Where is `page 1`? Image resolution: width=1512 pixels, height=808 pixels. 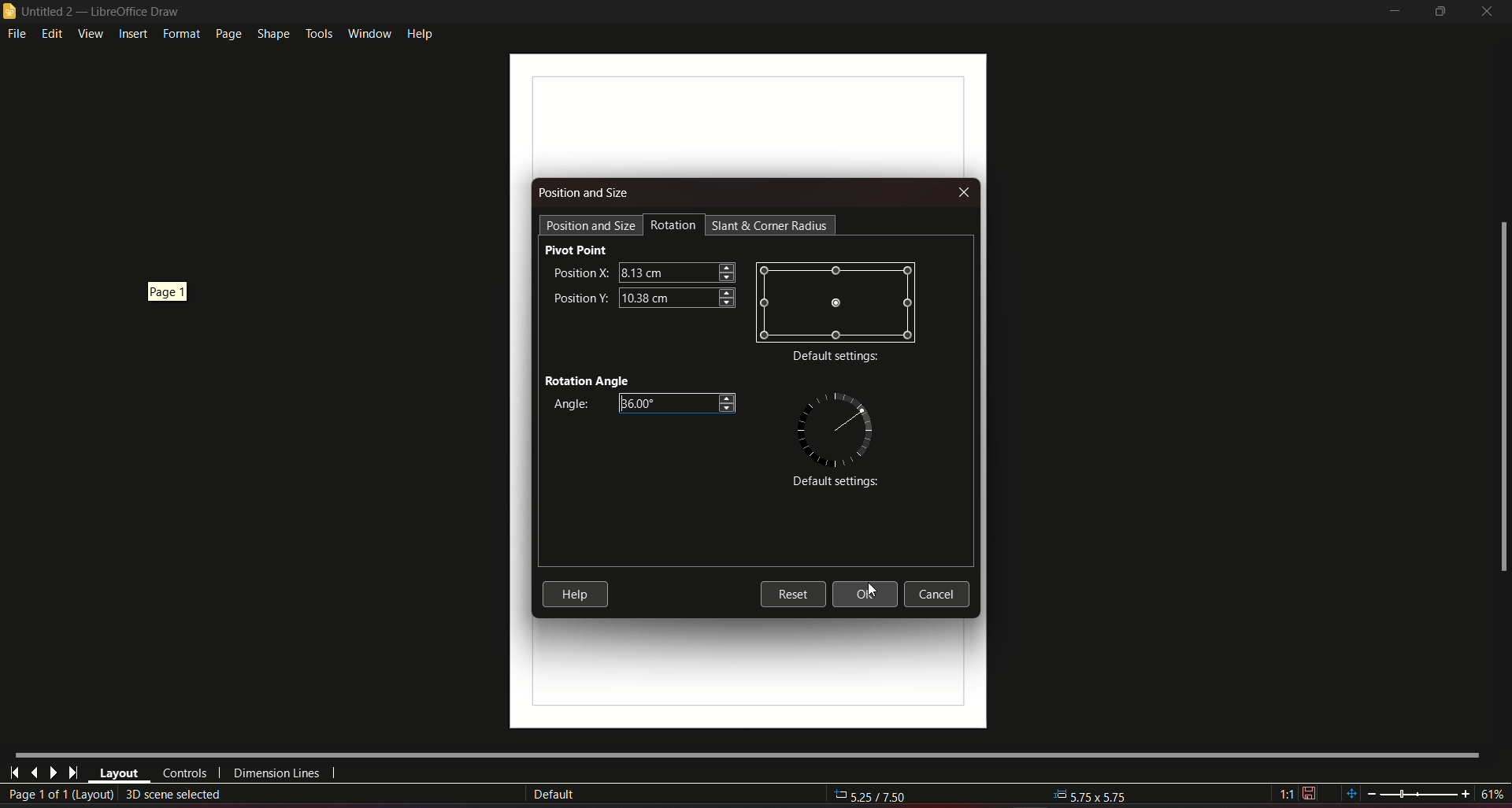
page 1 is located at coordinates (169, 290).